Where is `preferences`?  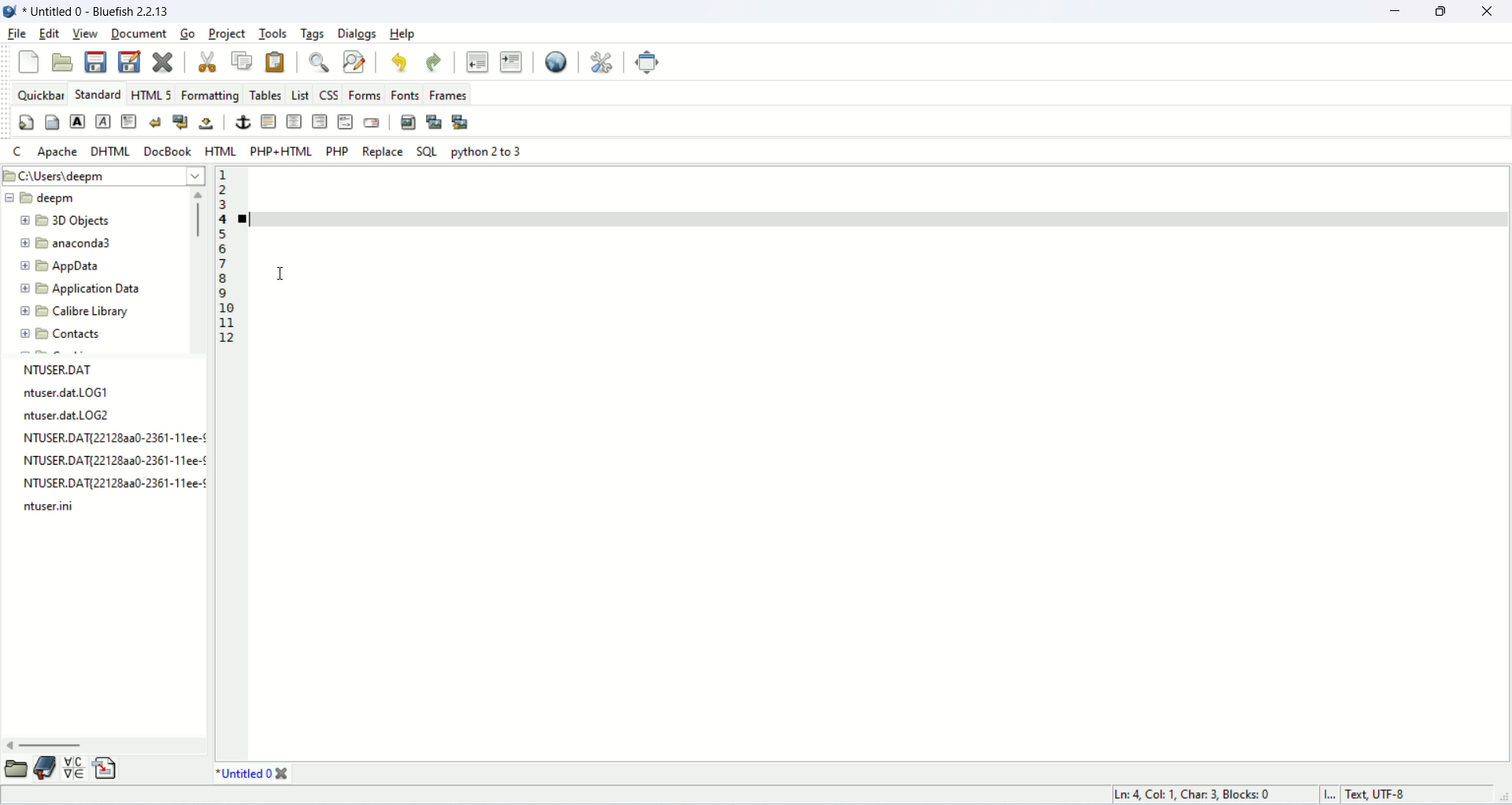
preferences is located at coordinates (603, 63).